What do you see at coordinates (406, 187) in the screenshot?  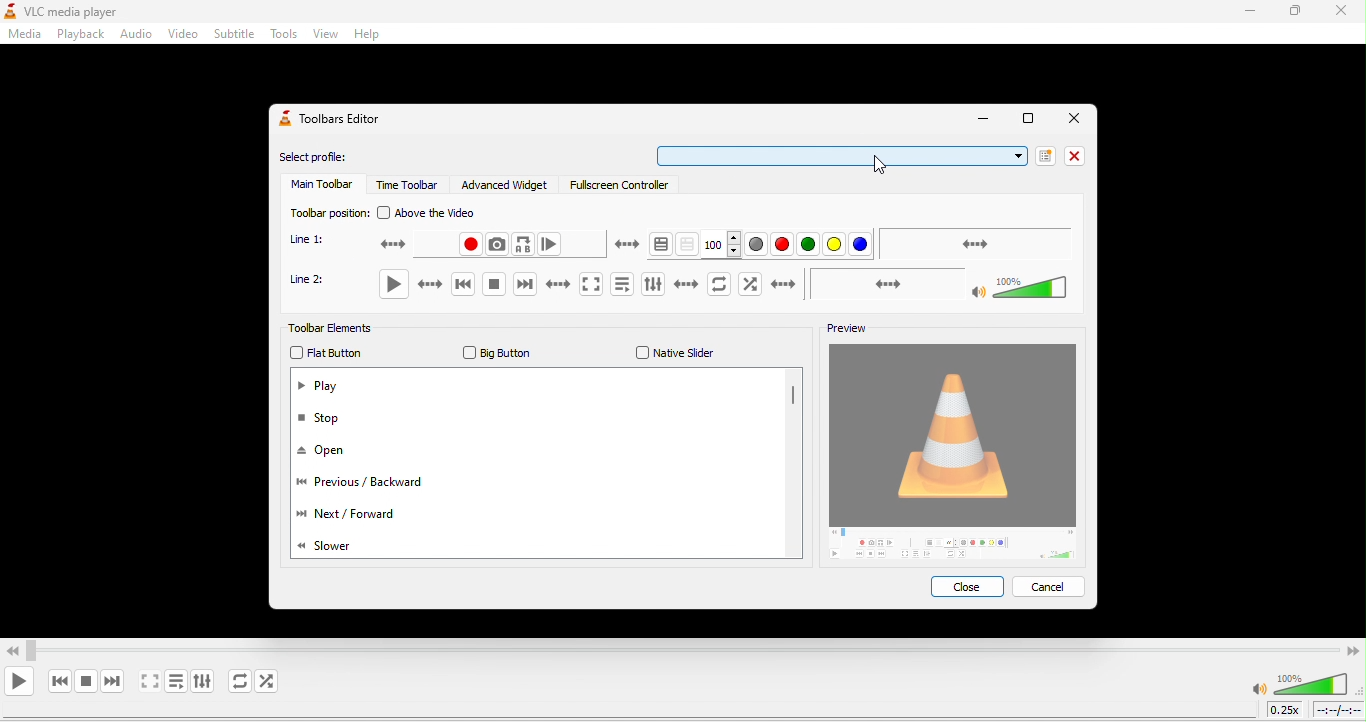 I see `time toolbar` at bounding box center [406, 187].